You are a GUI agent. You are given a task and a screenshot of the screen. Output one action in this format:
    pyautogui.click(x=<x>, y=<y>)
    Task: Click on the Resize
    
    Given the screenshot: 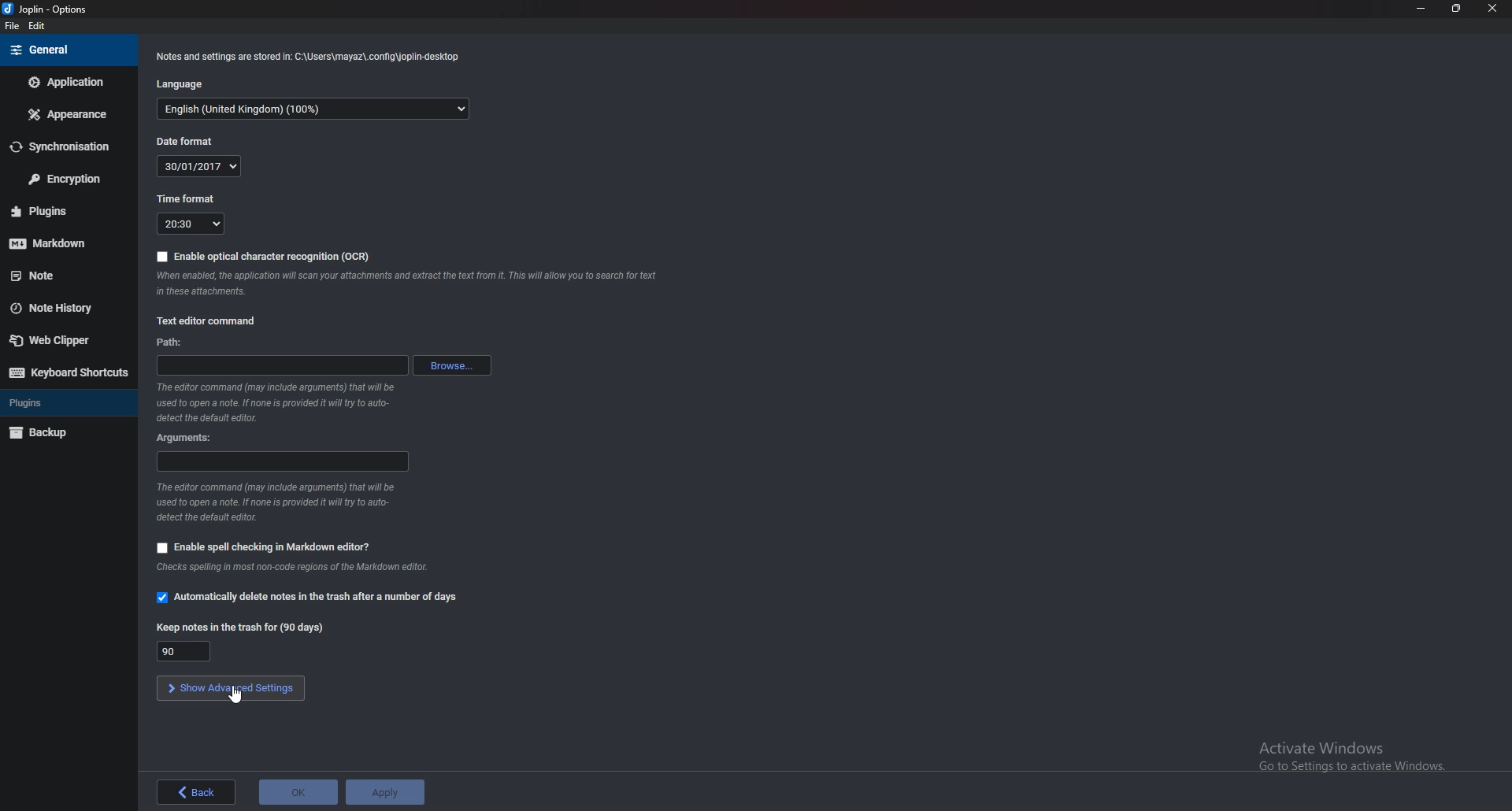 What is the action you would take?
    pyautogui.click(x=1457, y=8)
    